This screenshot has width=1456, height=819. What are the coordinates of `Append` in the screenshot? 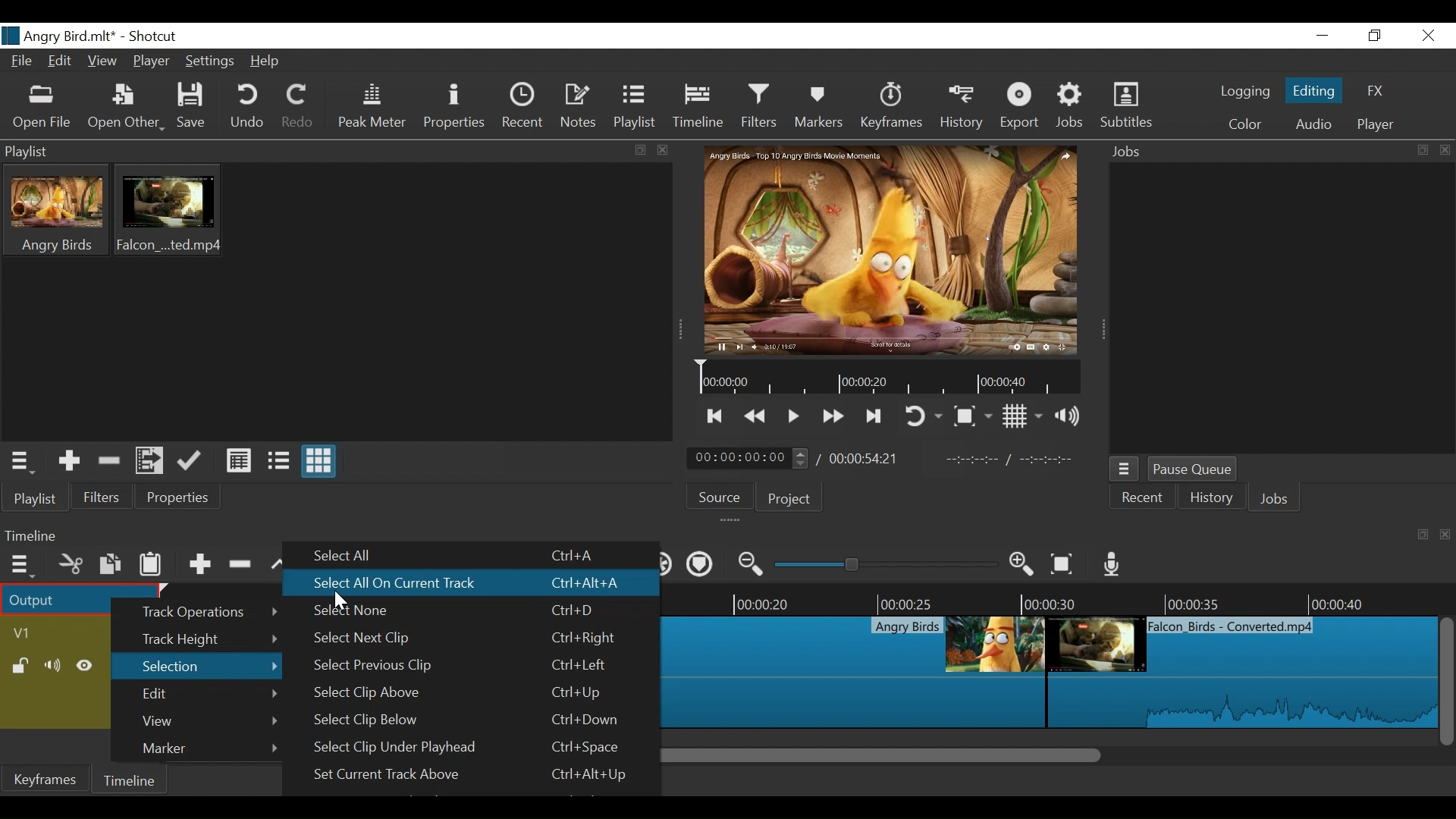 It's located at (199, 565).